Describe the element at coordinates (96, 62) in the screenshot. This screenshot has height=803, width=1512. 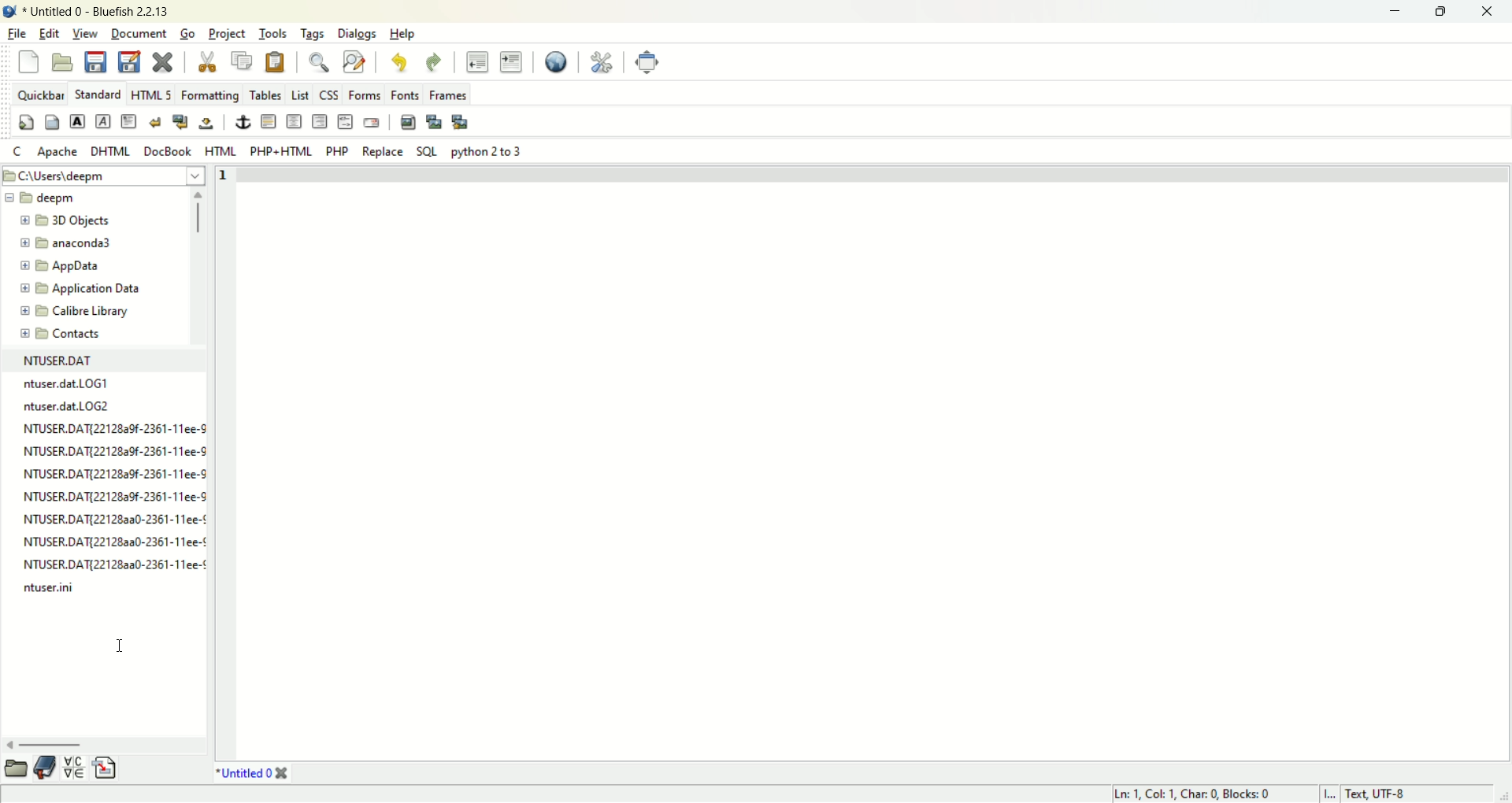
I see `save` at that location.